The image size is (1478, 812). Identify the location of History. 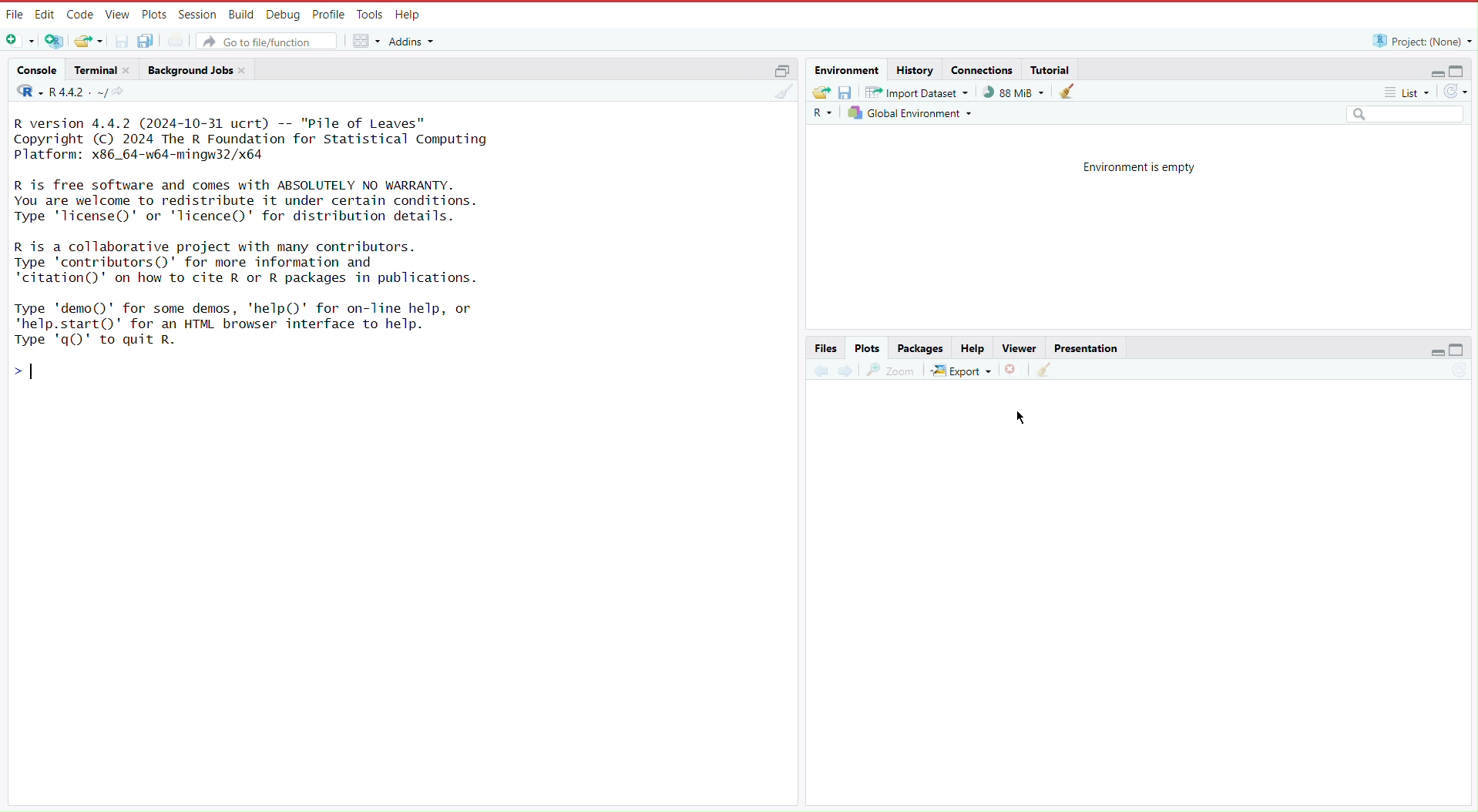
(915, 69).